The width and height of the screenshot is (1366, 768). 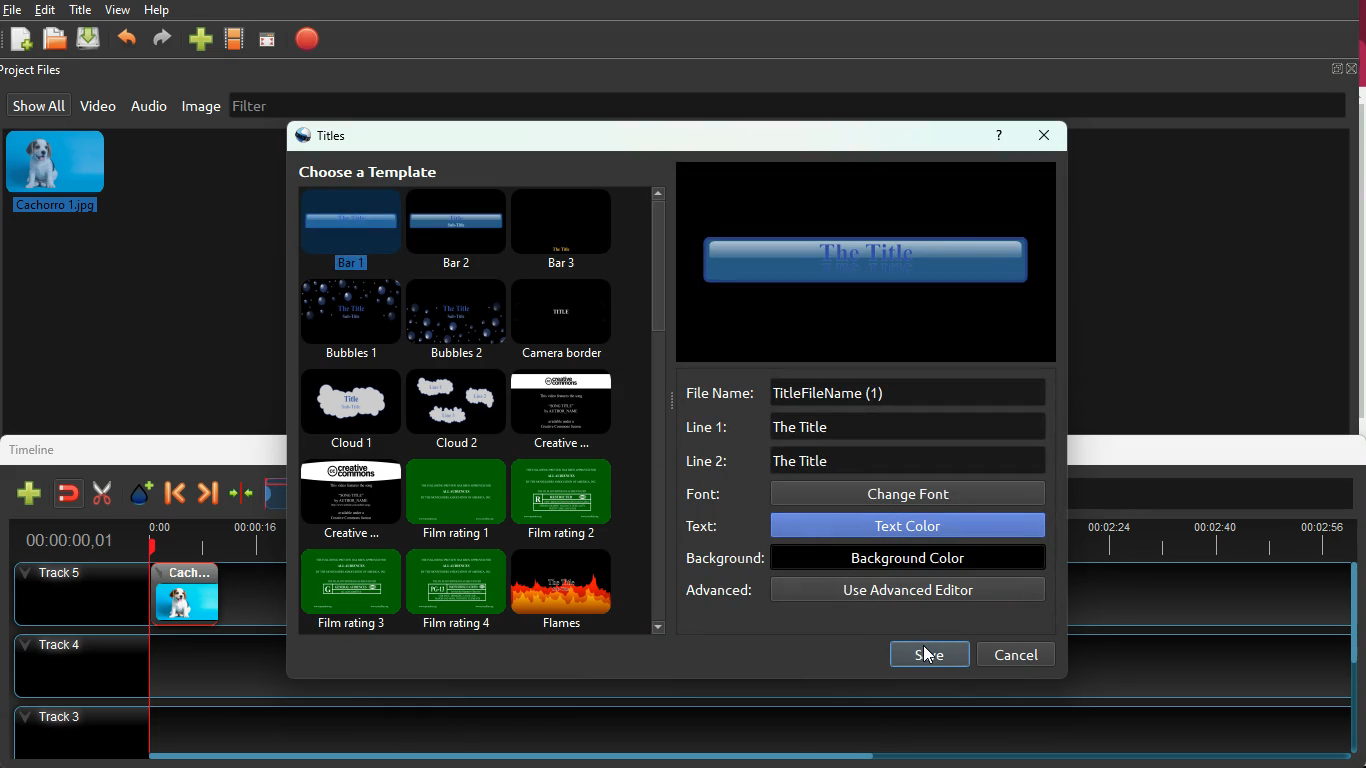 I want to click on bar 3, so click(x=569, y=227).